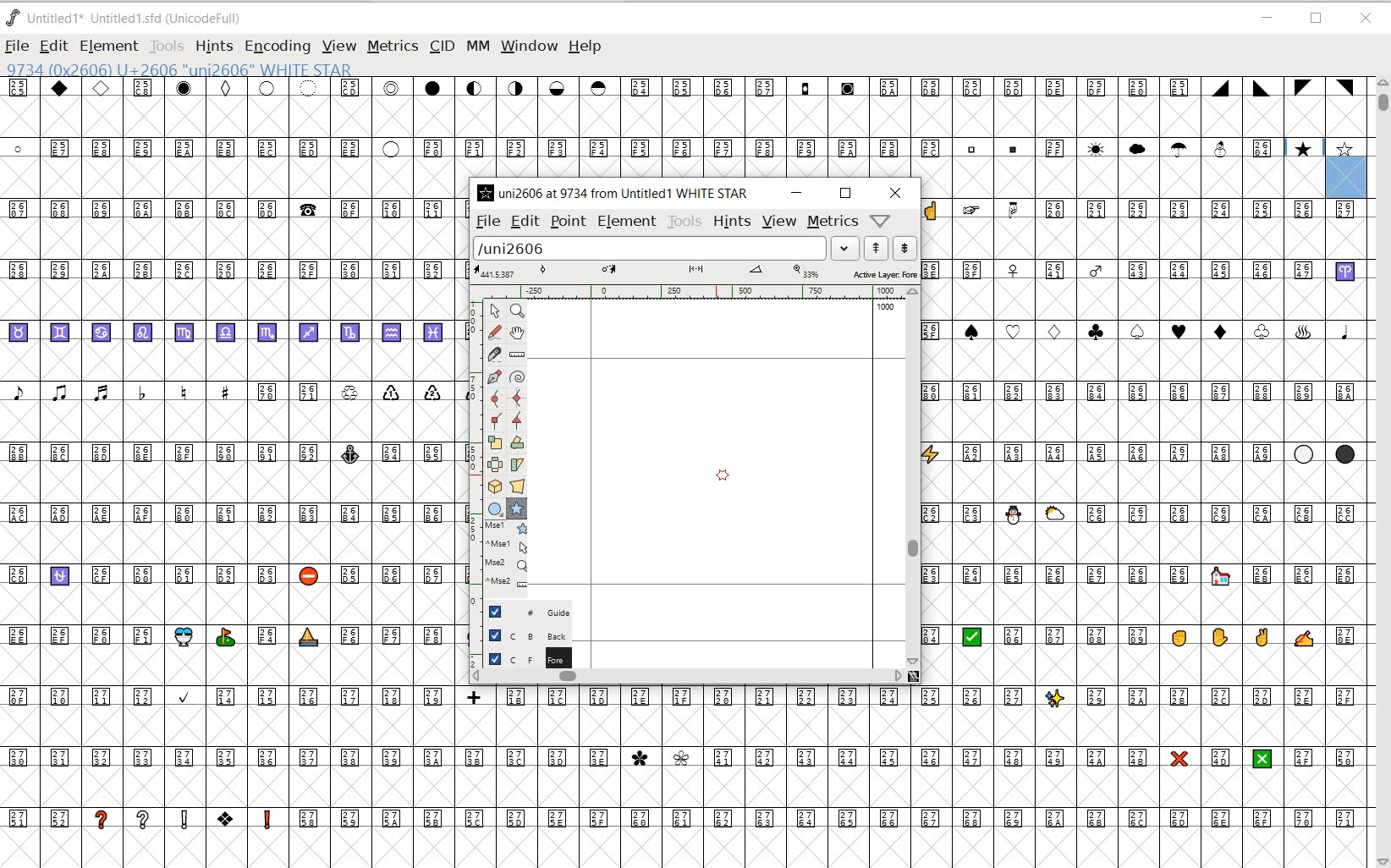  I want to click on TOOLS, so click(168, 47).